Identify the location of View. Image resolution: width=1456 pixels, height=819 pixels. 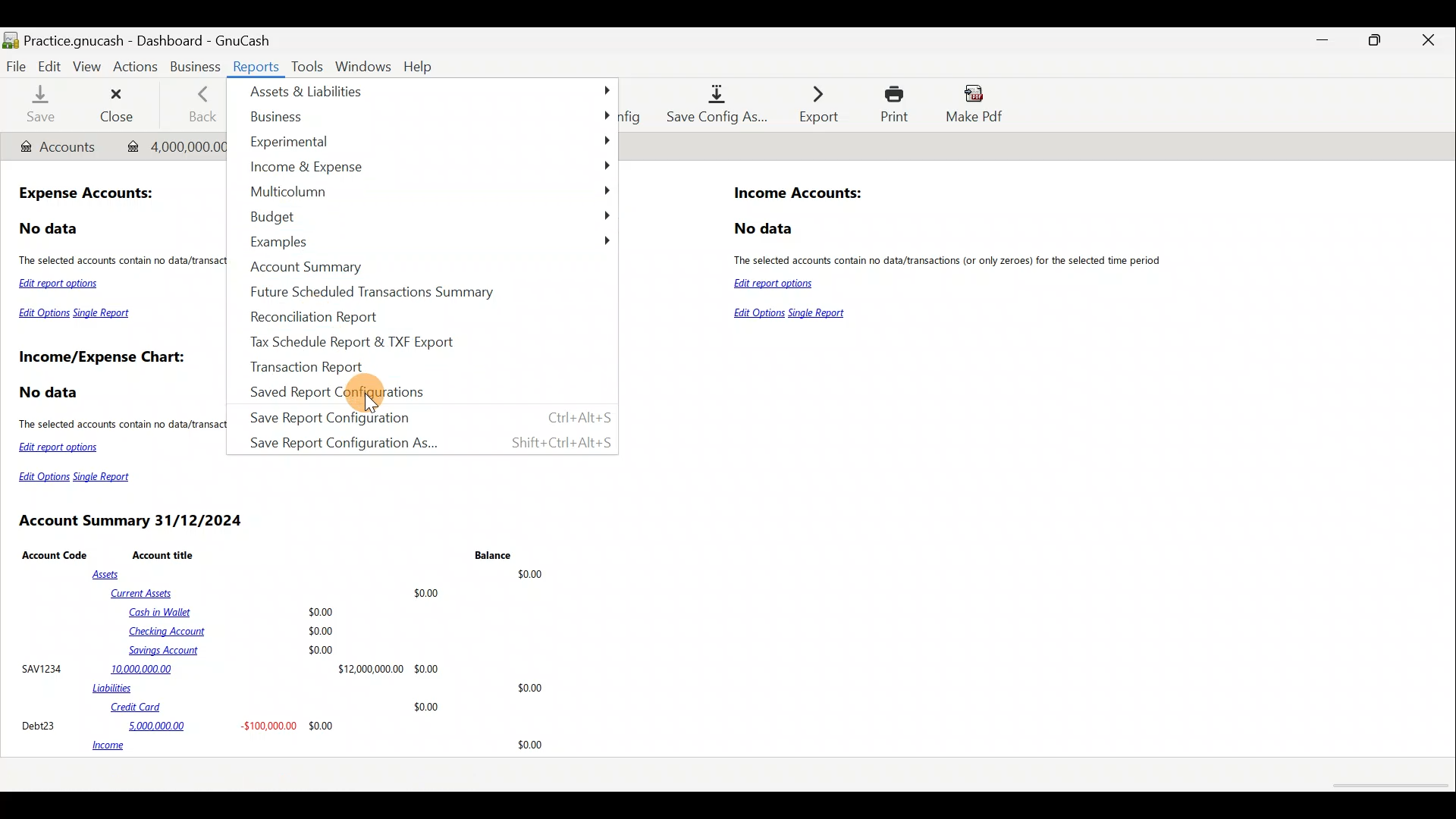
(89, 67).